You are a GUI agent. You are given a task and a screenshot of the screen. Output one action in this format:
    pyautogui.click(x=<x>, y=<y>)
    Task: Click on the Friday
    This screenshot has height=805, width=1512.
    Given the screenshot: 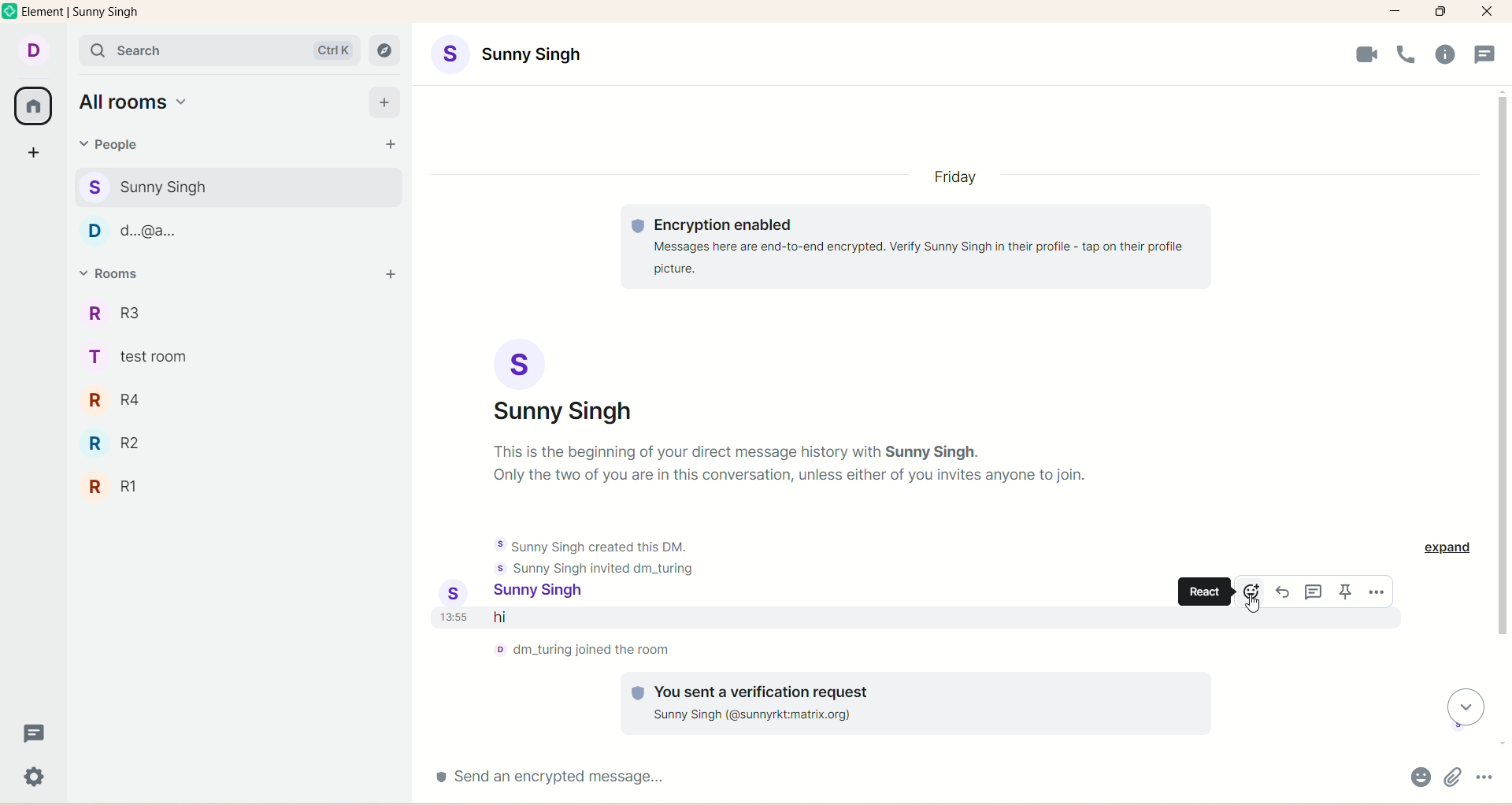 What is the action you would take?
    pyautogui.click(x=955, y=176)
    